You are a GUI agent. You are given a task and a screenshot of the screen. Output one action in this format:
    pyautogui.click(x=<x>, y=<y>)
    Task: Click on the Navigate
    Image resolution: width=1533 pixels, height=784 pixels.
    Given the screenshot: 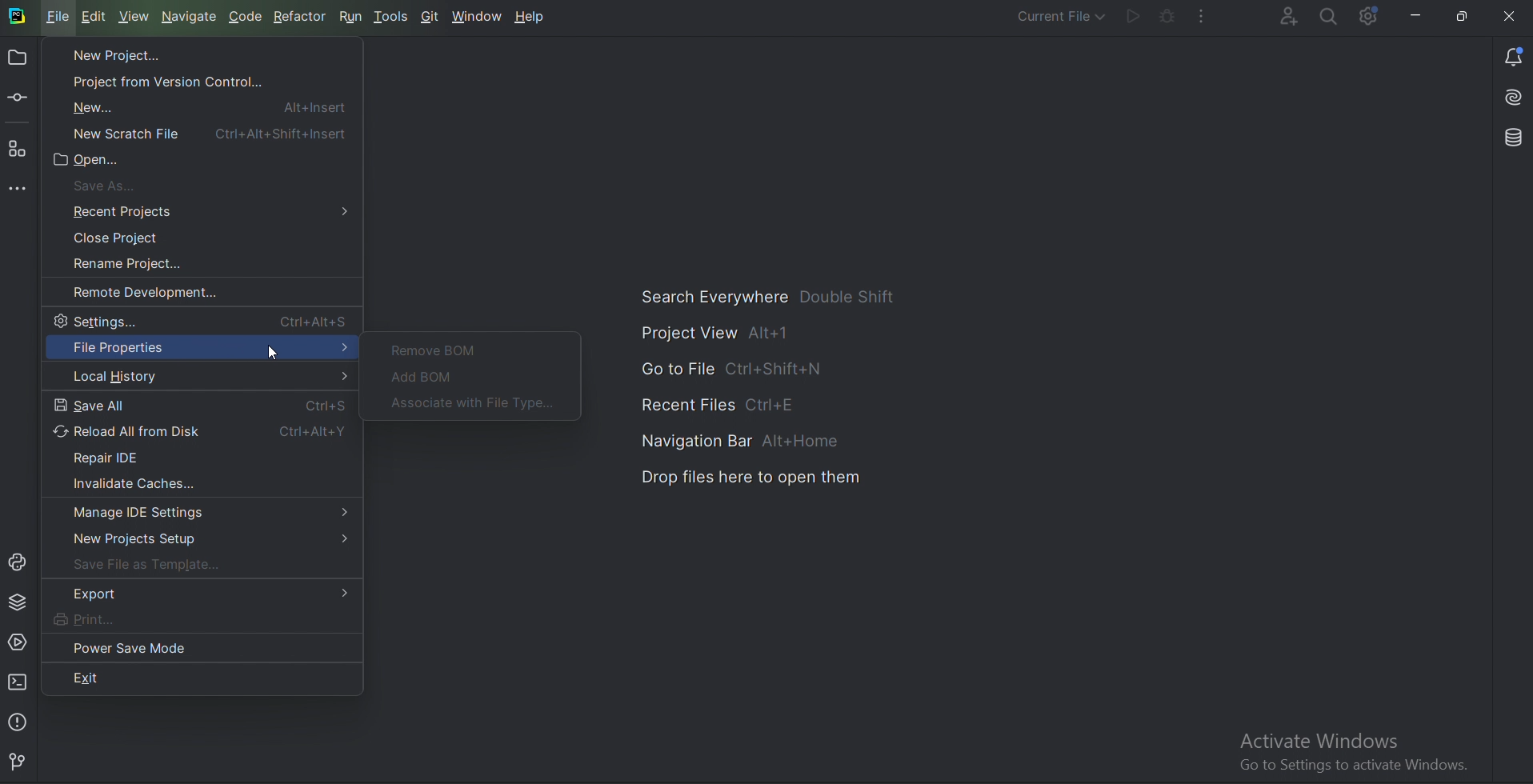 What is the action you would take?
    pyautogui.click(x=190, y=16)
    